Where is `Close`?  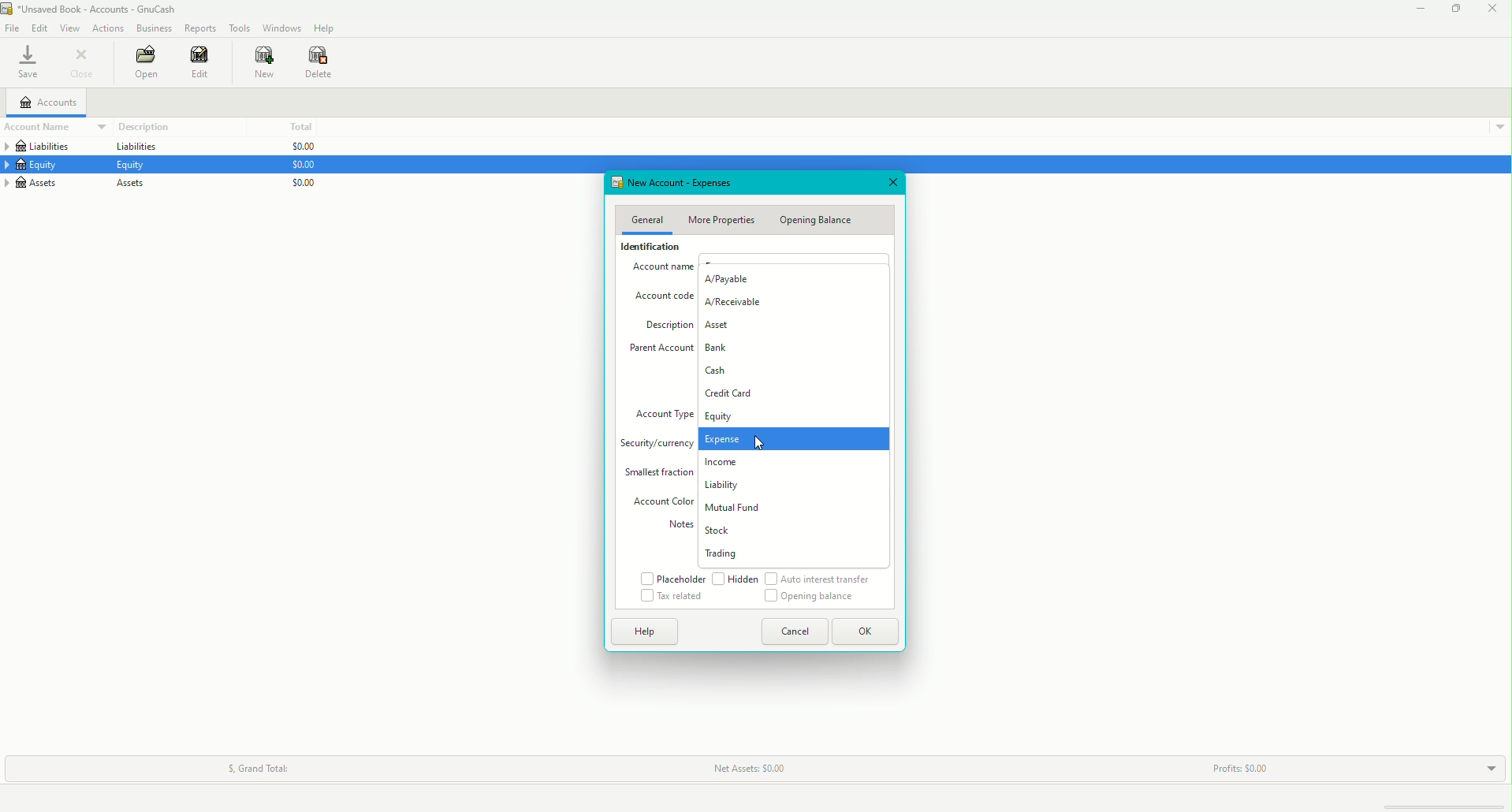
Close is located at coordinates (84, 64).